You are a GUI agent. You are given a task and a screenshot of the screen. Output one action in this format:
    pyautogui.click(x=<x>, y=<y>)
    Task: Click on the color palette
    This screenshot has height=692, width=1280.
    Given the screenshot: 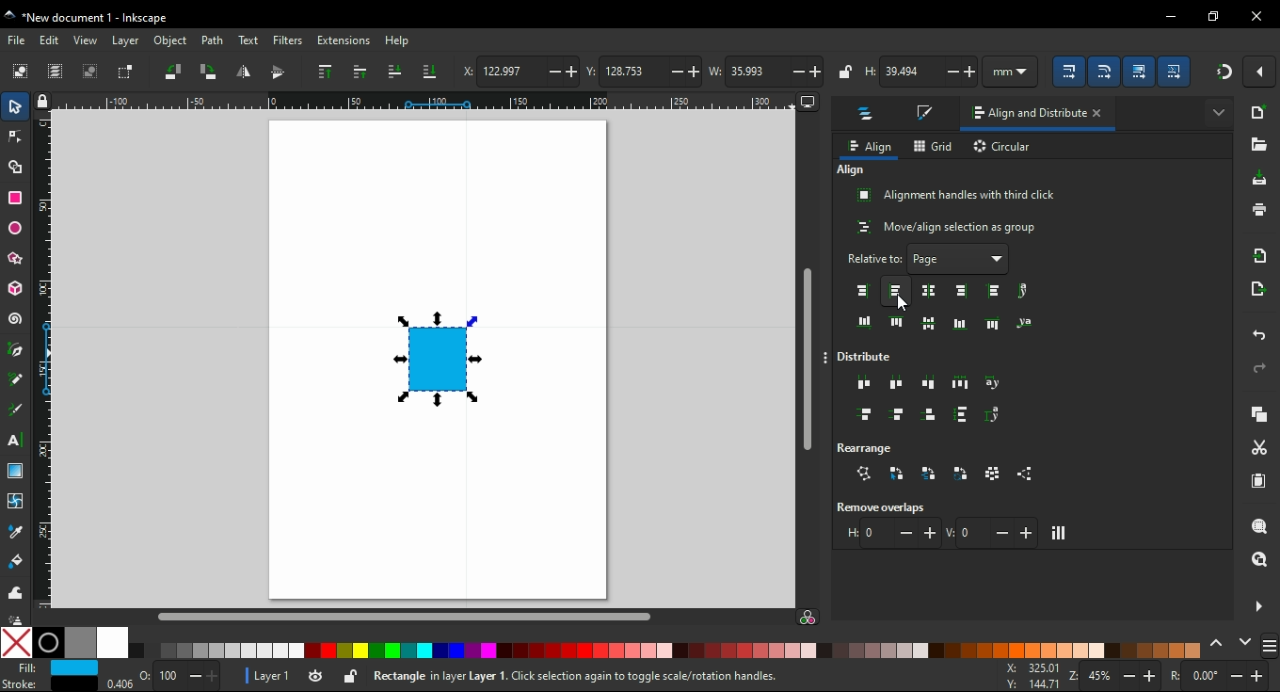 What is the action you would take?
    pyautogui.click(x=668, y=651)
    